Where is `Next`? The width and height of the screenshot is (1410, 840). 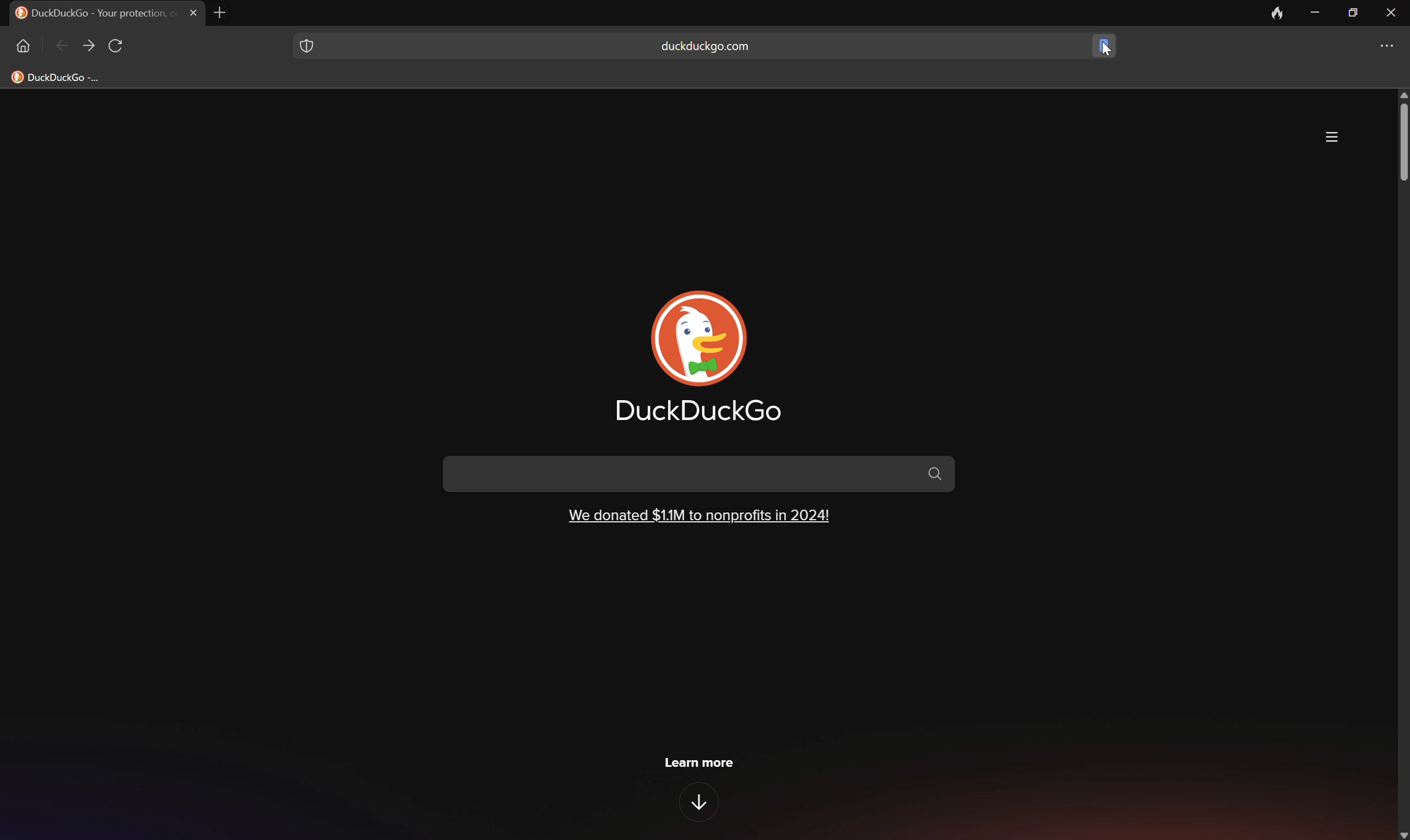
Next is located at coordinates (89, 46).